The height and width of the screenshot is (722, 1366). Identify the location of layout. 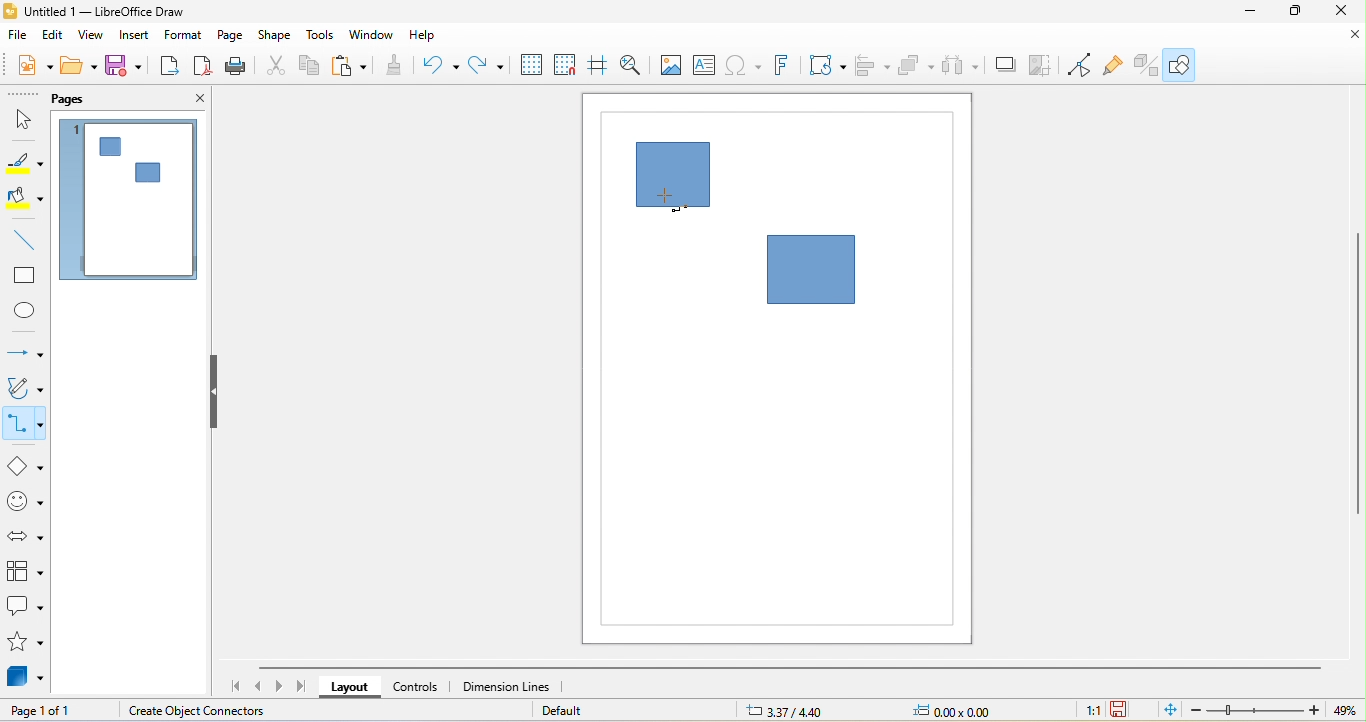
(356, 688).